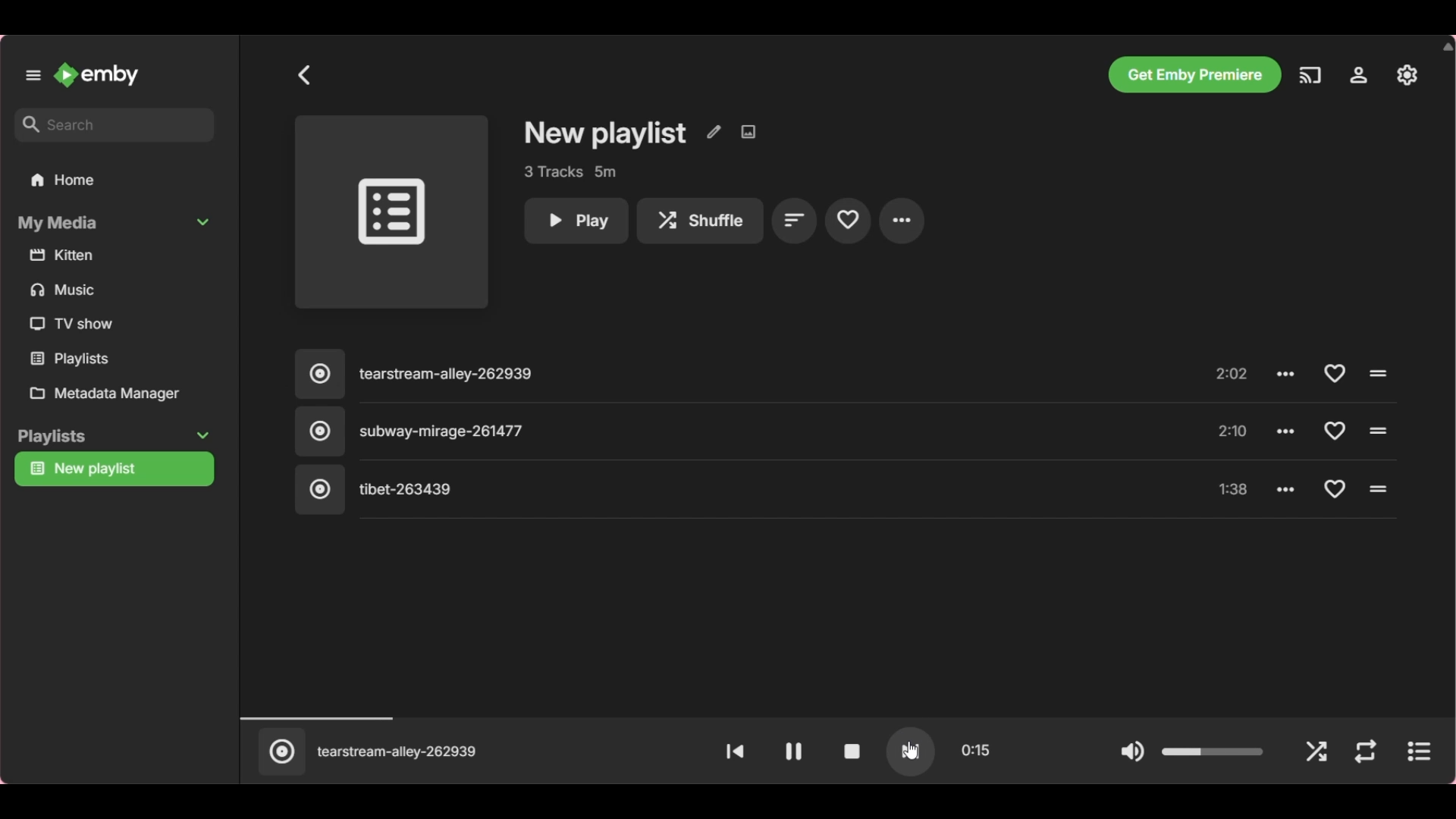  Describe the element at coordinates (90, 472) in the screenshot. I see `new playlist` at that location.